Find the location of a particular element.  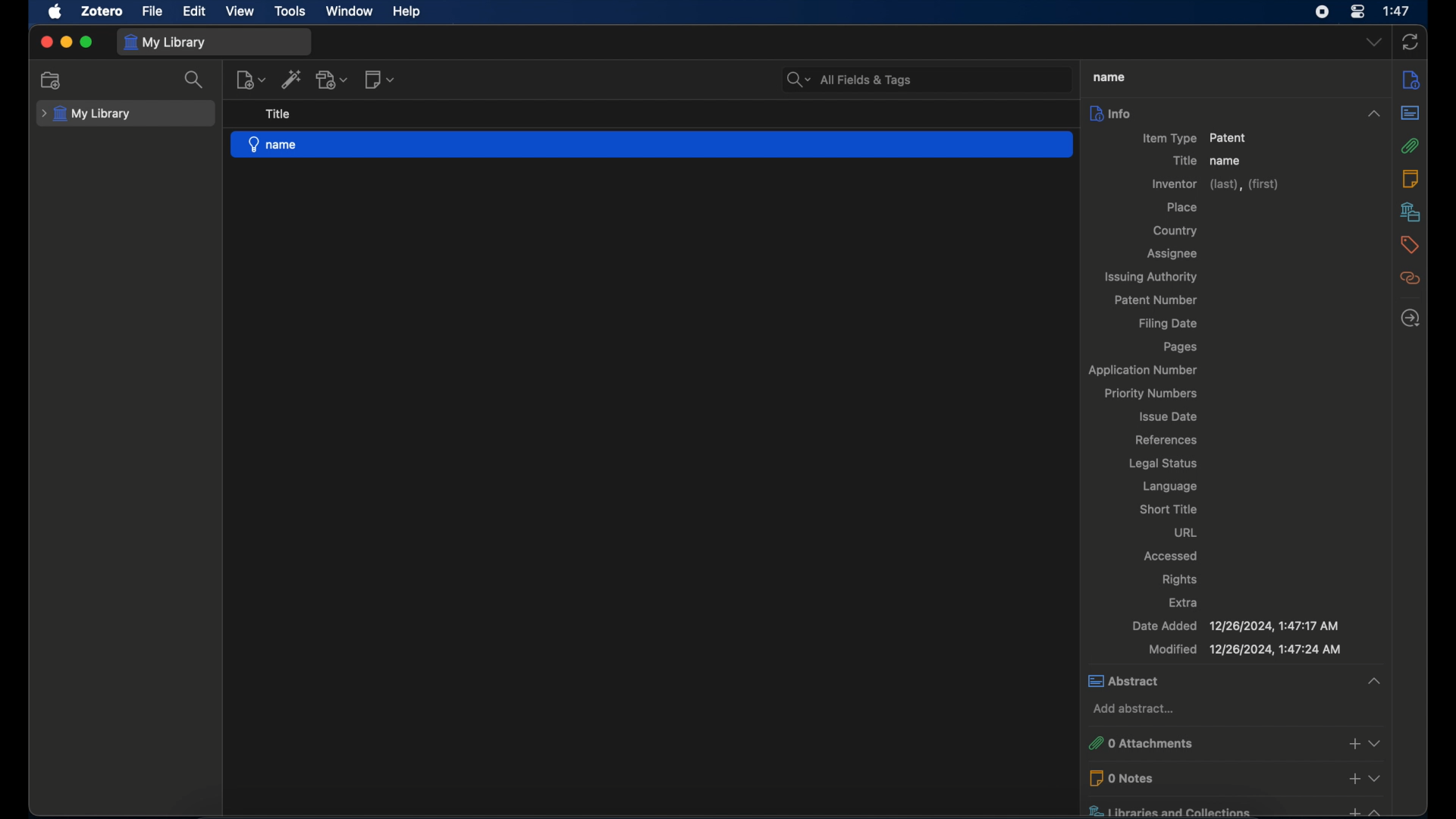

Collapse or expand  is located at coordinates (1373, 681).